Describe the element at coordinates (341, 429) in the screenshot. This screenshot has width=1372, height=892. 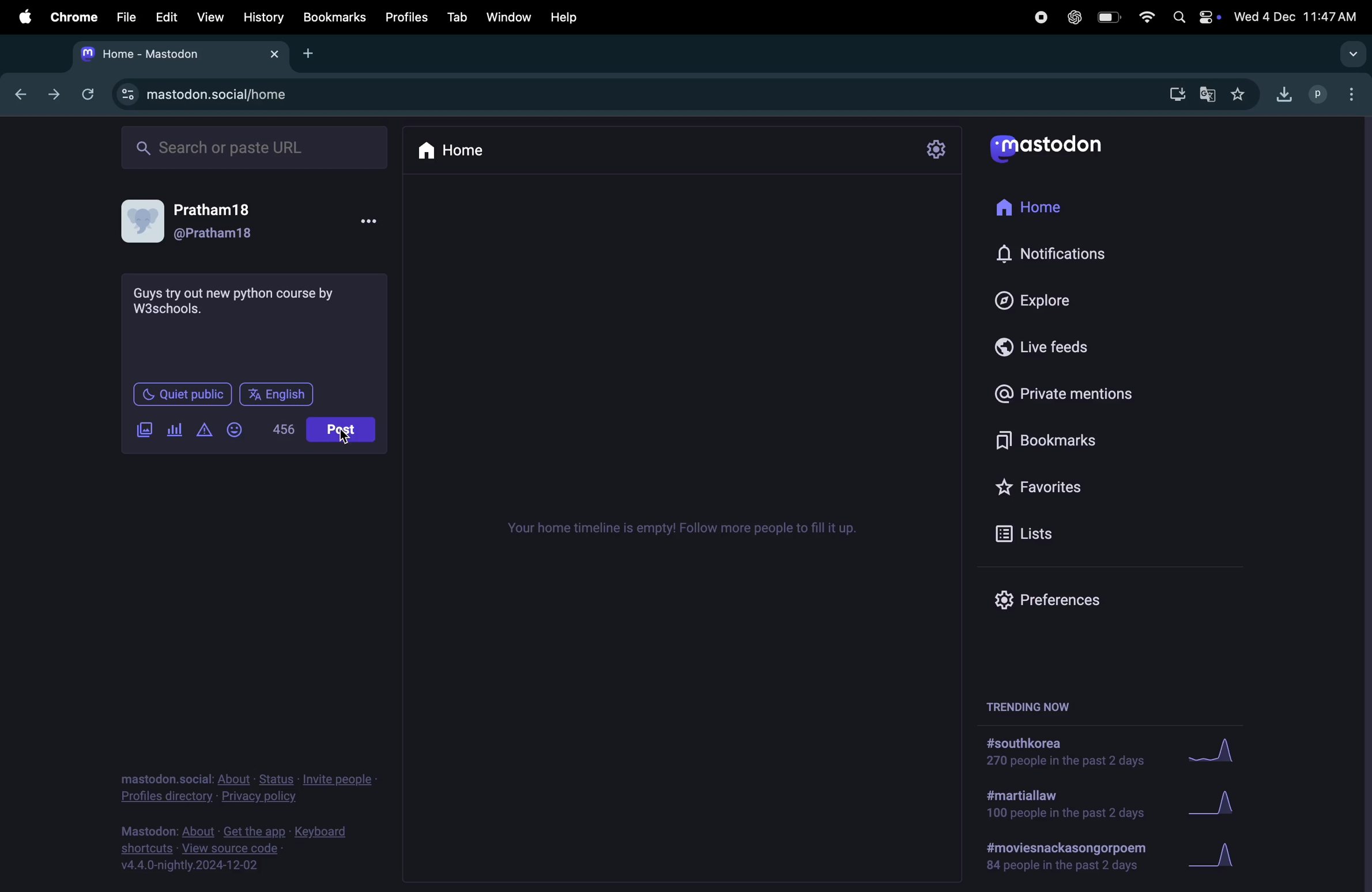
I see `post` at that location.